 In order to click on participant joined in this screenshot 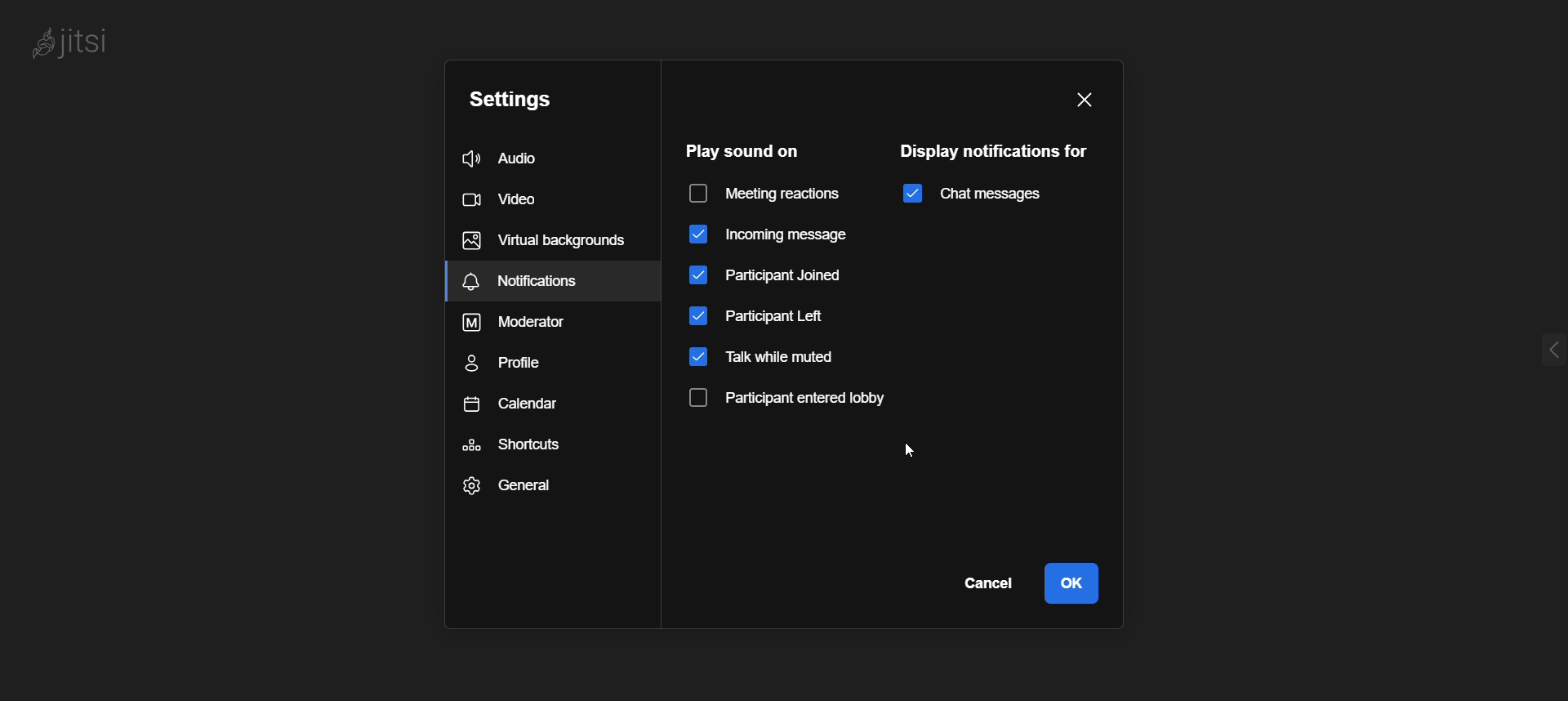, I will do `click(770, 275)`.